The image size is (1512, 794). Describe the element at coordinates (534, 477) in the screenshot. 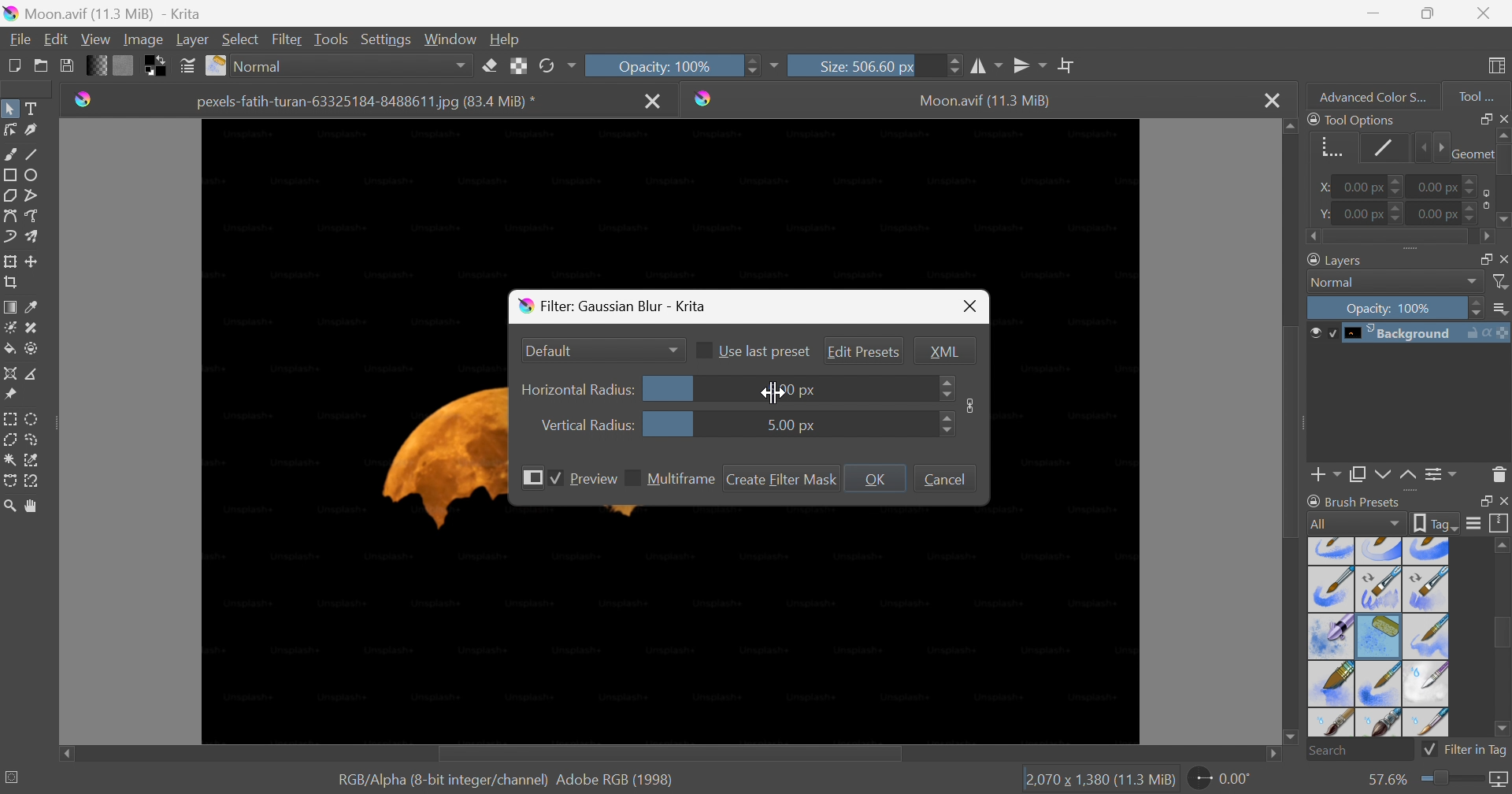

I see `More` at that location.